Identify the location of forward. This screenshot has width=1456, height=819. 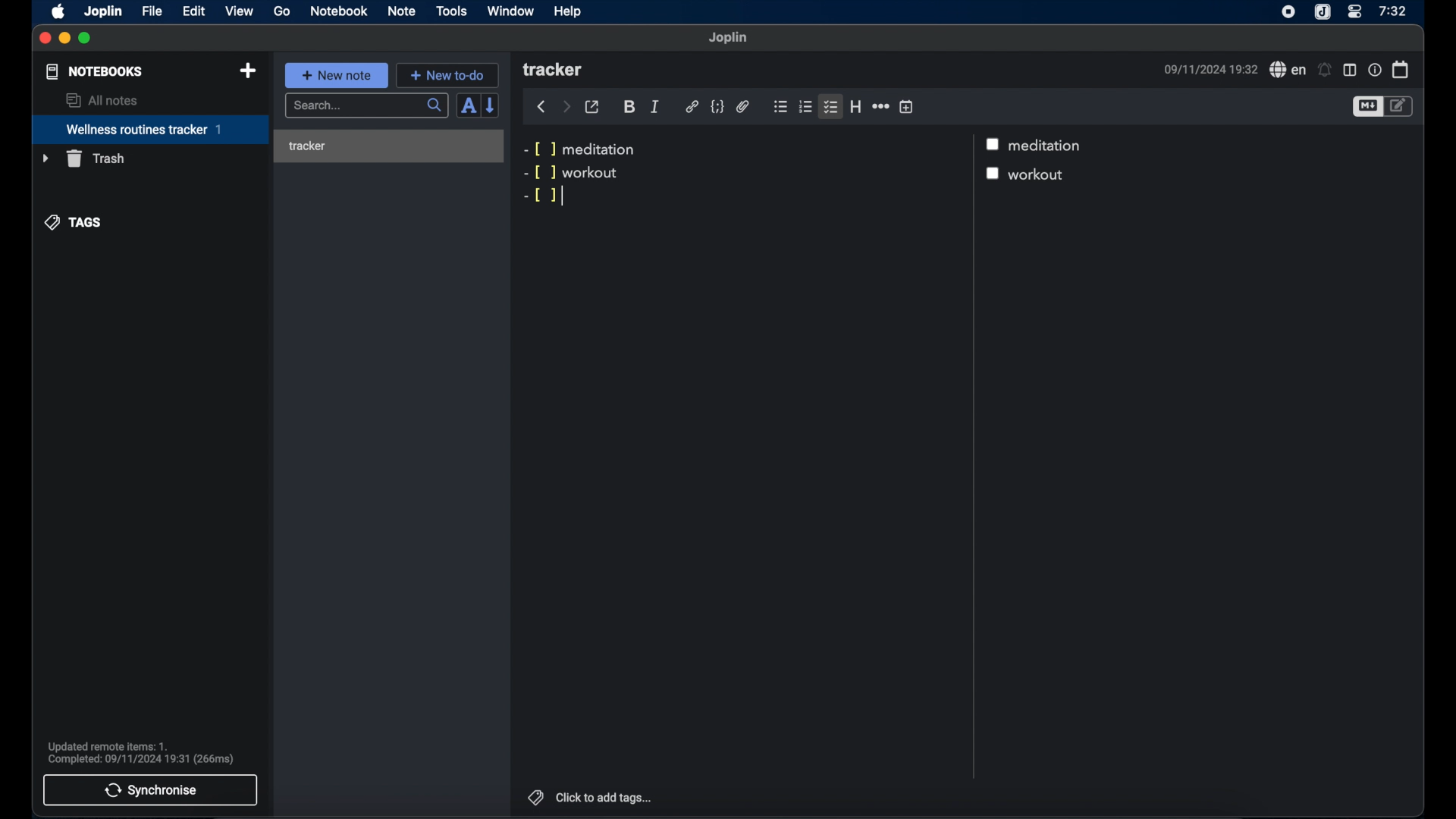
(566, 106).